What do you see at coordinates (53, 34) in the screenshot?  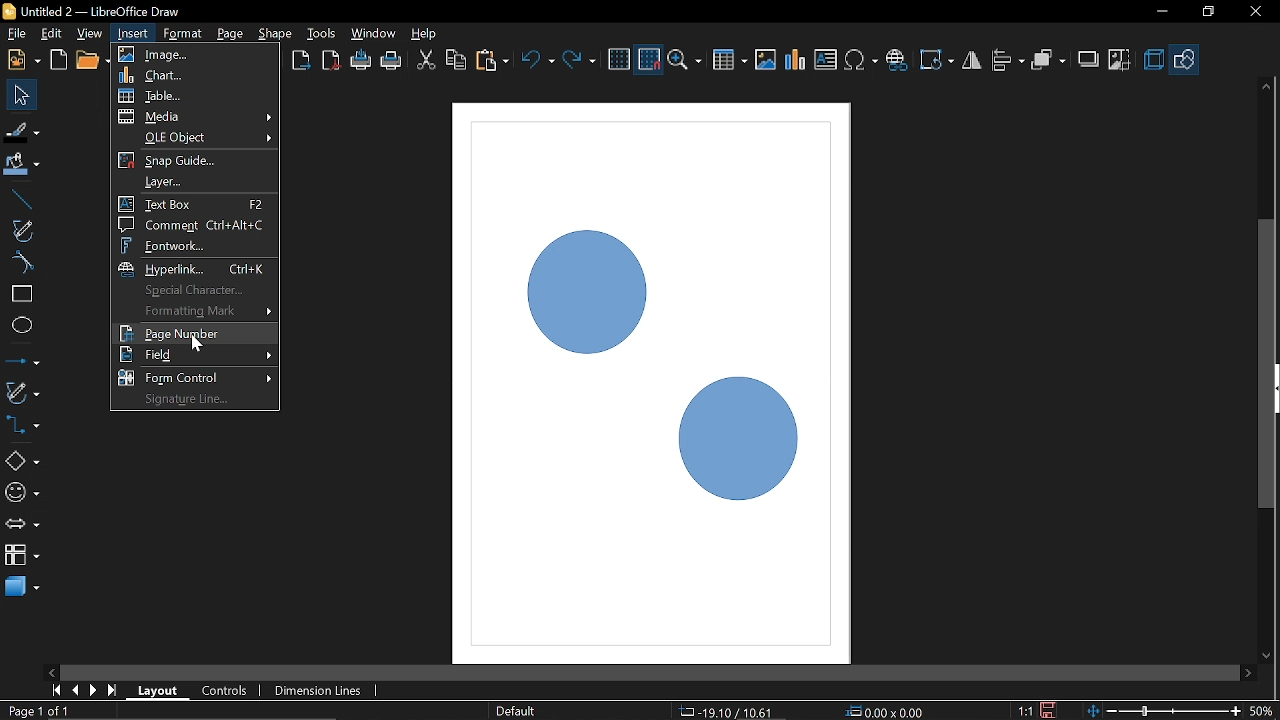 I see `Edit` at bounding box center [53, 34].